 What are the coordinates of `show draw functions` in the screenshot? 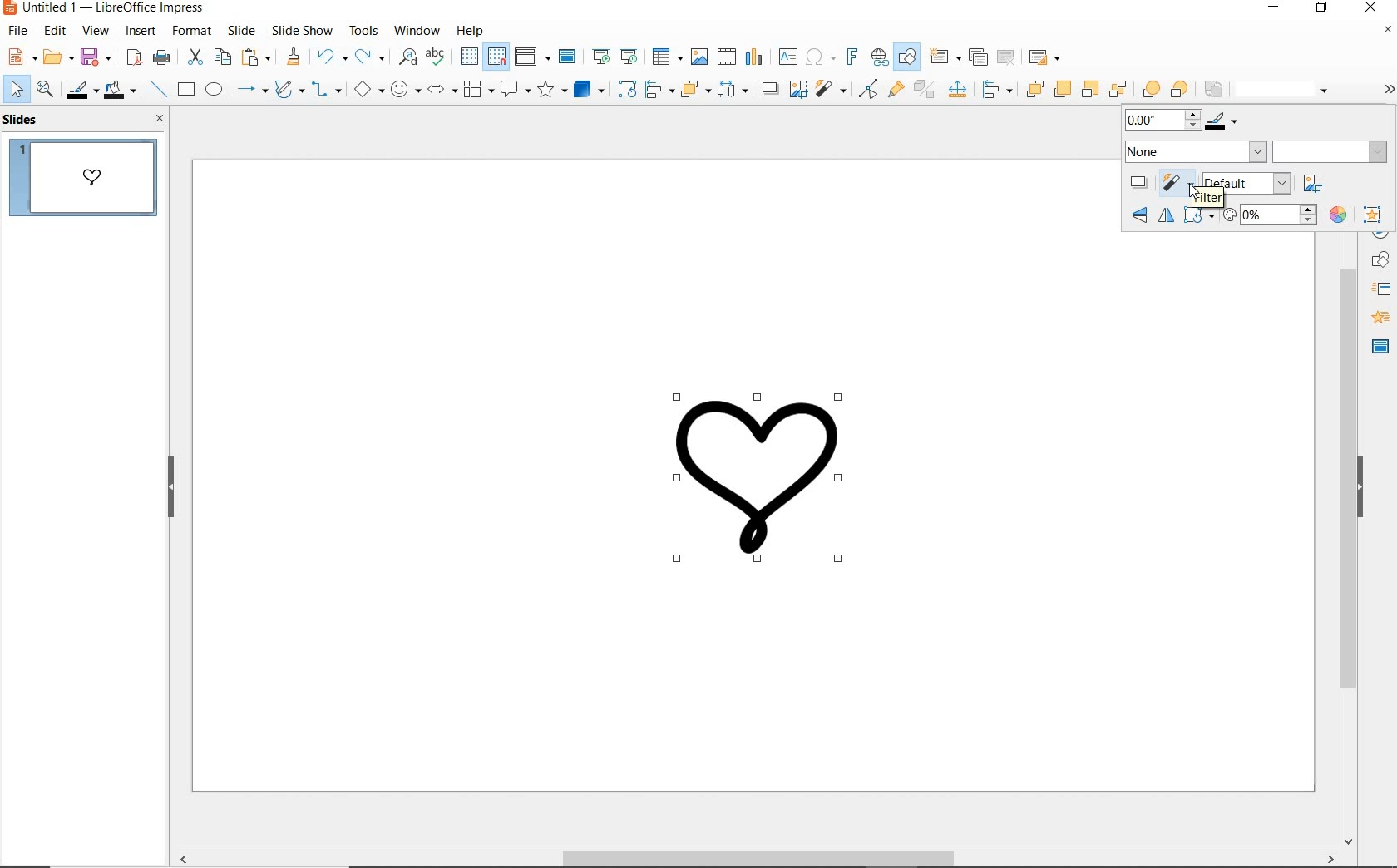 It's located at (906, 58).